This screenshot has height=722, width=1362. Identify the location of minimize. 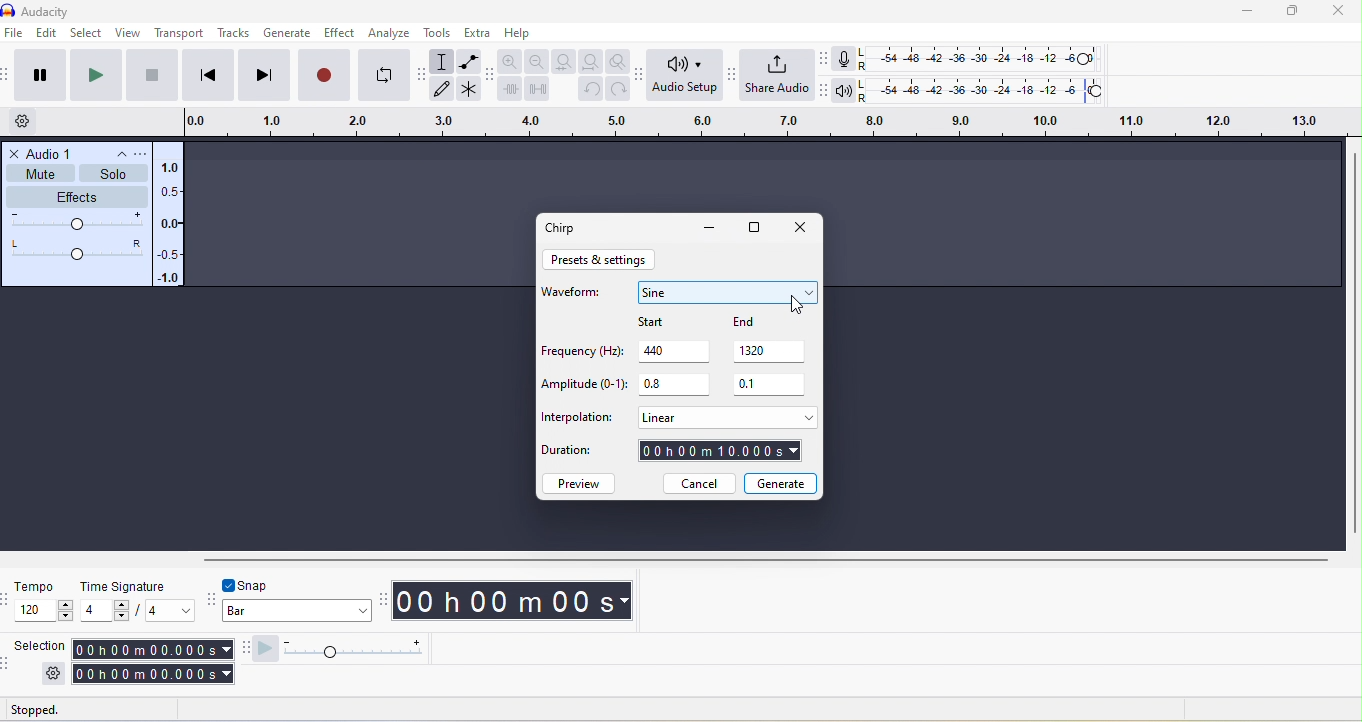
(709, 229).